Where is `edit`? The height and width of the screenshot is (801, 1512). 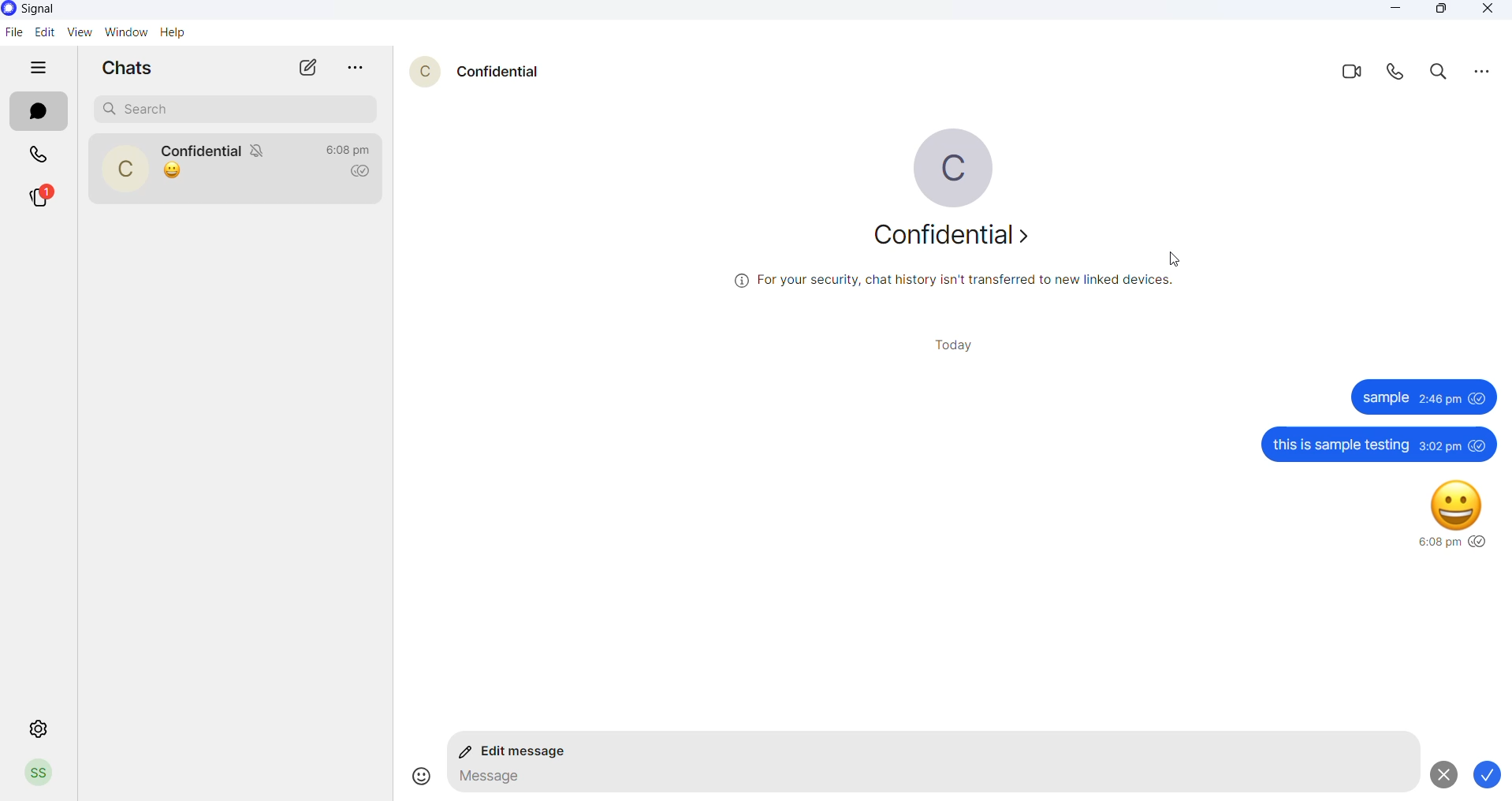 edit is located at coordinates (43, 32).